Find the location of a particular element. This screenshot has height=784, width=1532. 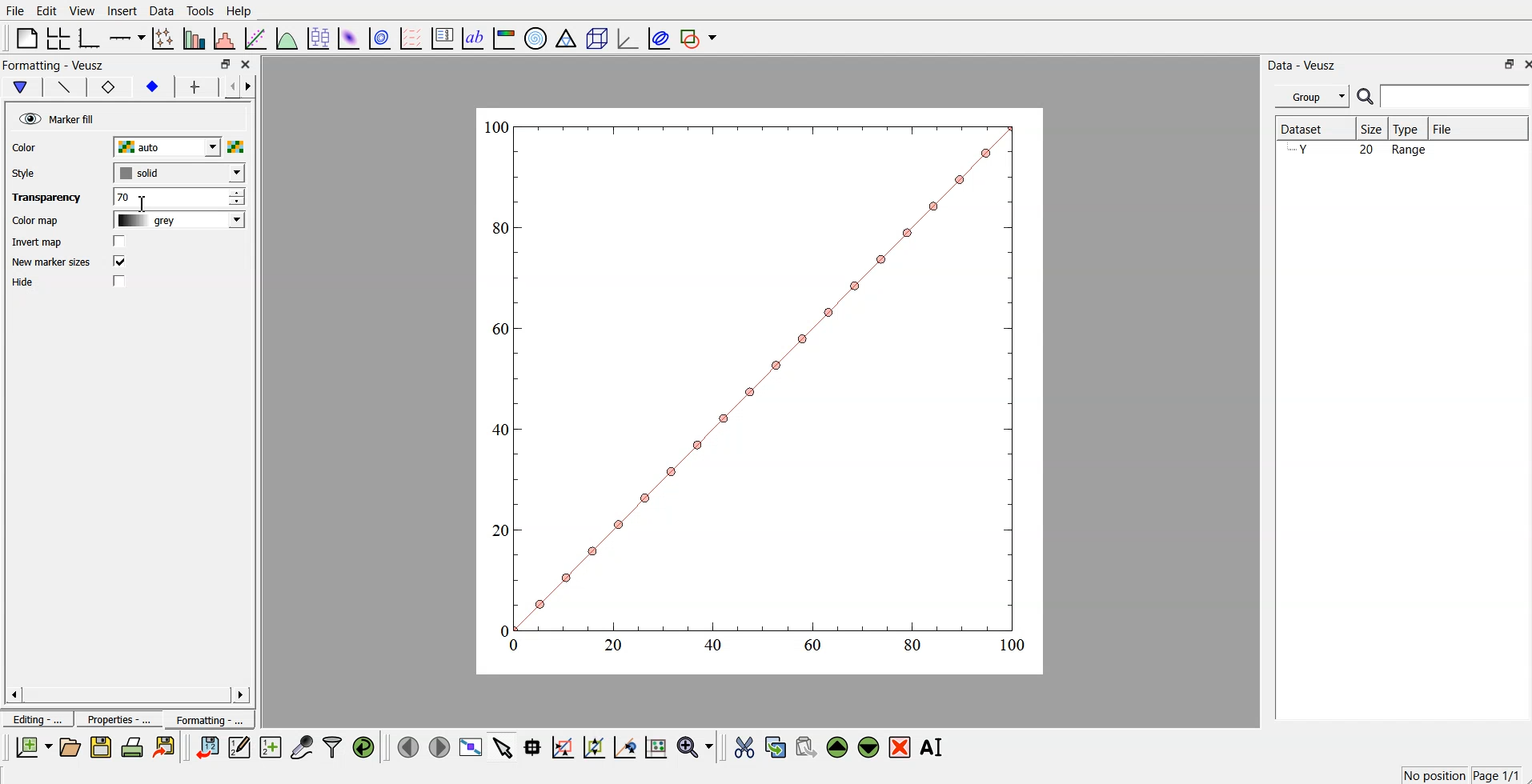

Properties - Veusz is located at coordinates (52, 65).